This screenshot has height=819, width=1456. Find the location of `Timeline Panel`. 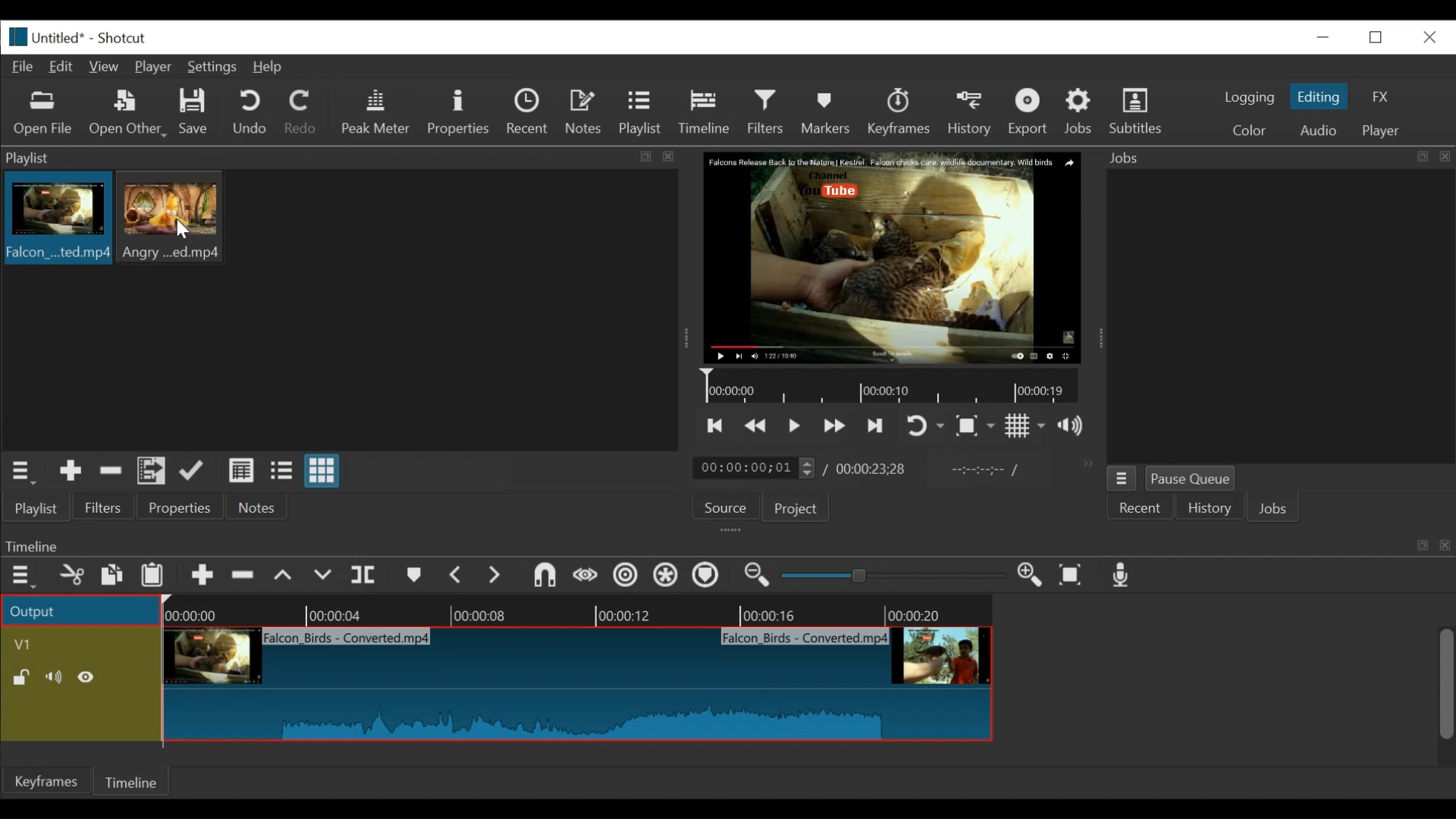

Timeline Panel is located at coordinates (726, 545).